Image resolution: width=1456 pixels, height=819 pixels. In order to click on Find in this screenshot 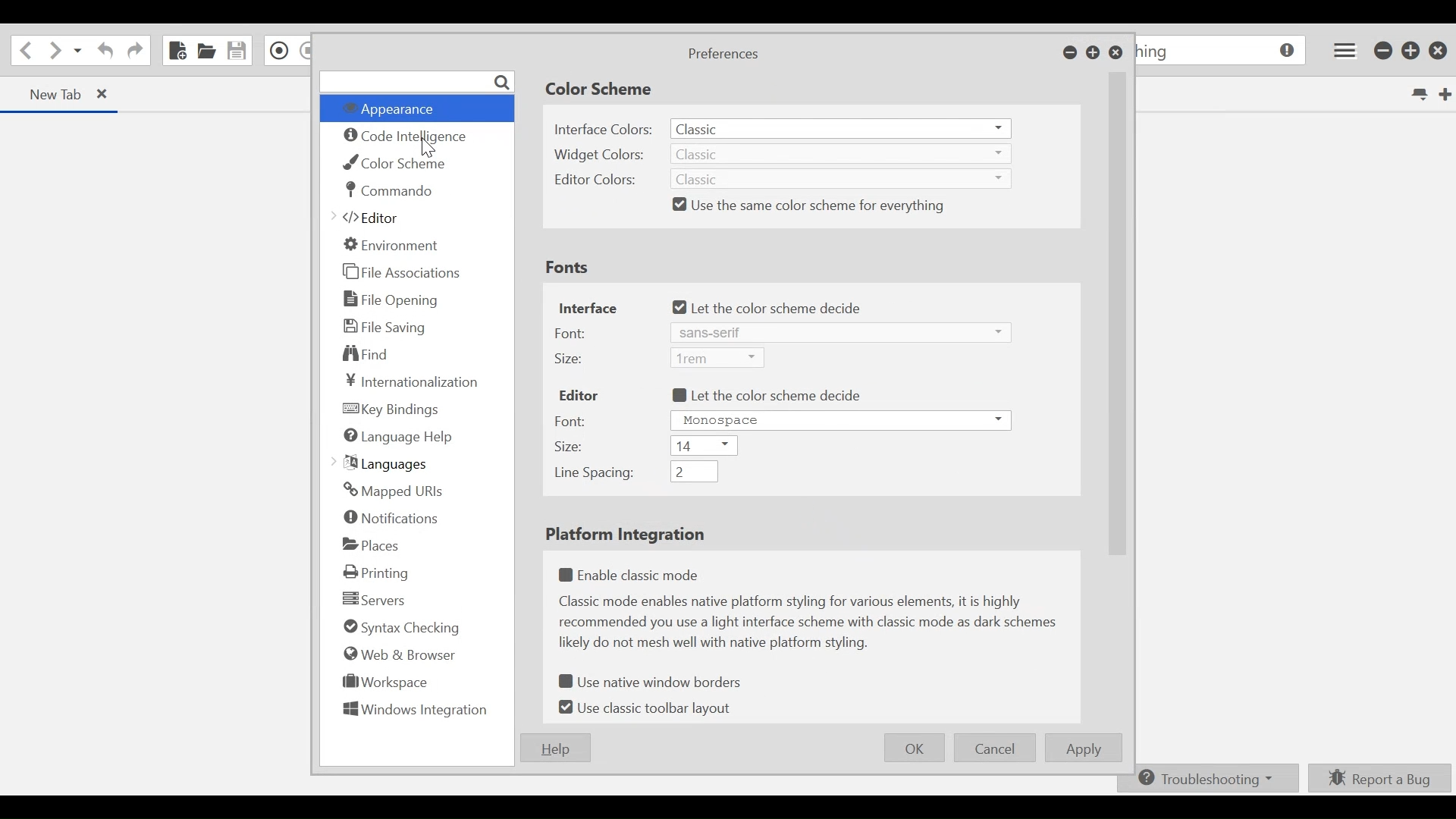, I will do `click(367, 353)`.